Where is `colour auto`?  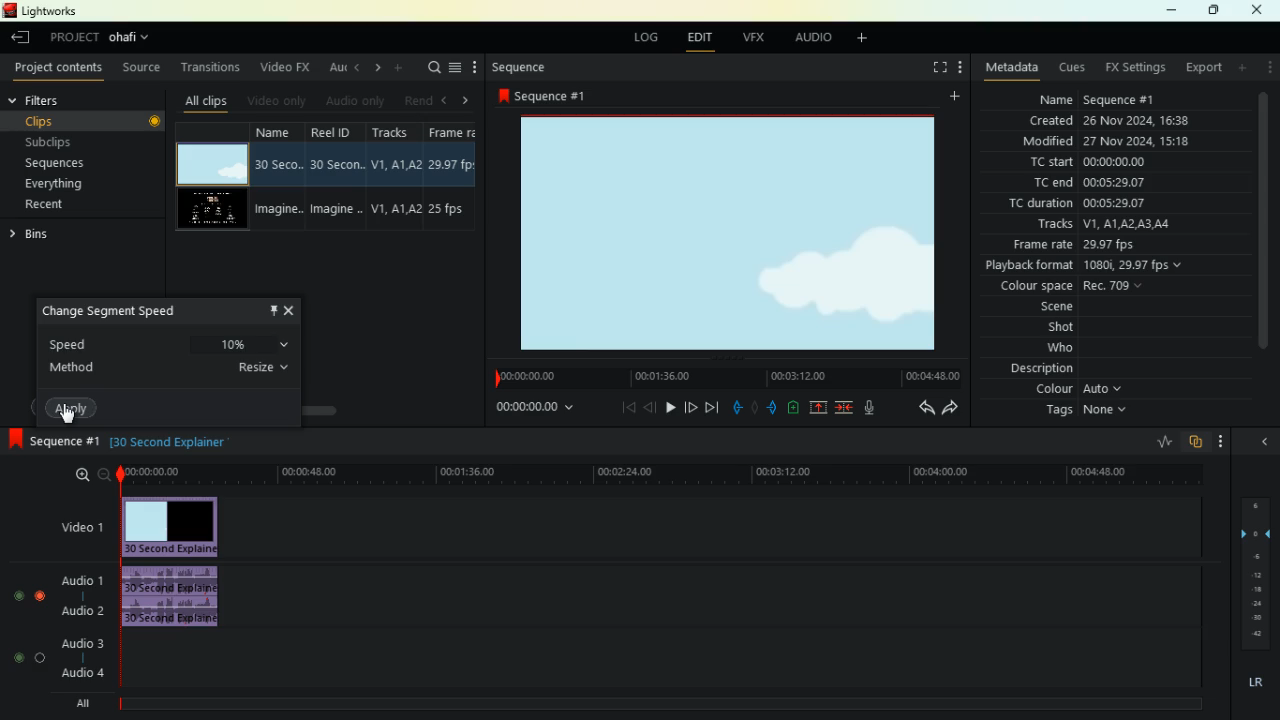
colour auto is located at coordinates (1082, 389).